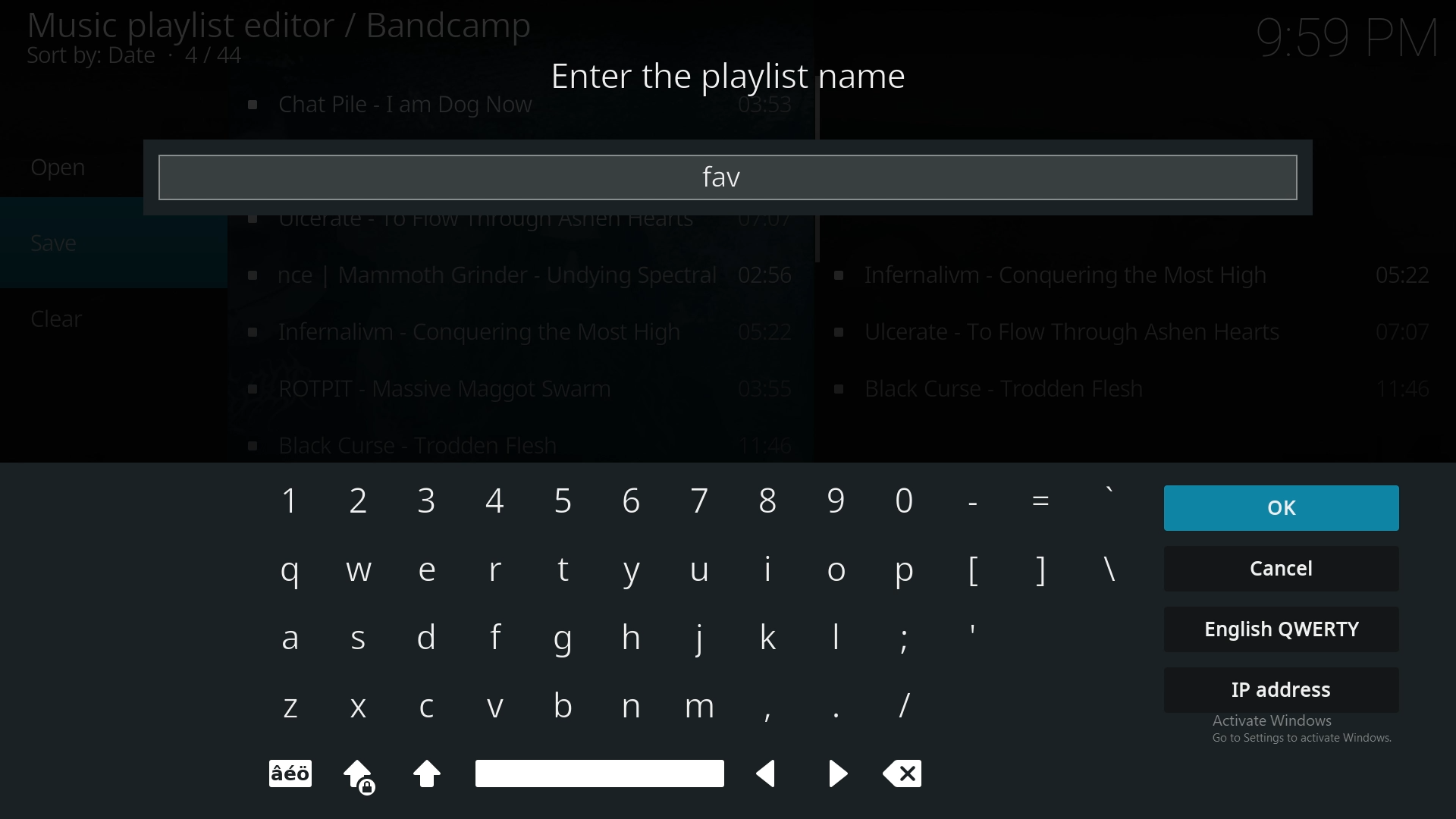 This screenshot has height=819, width=1456. What do you see at coordinates (904, 573) in the screenshot?
I see `keyboard input` at bounding box center [904, 573].